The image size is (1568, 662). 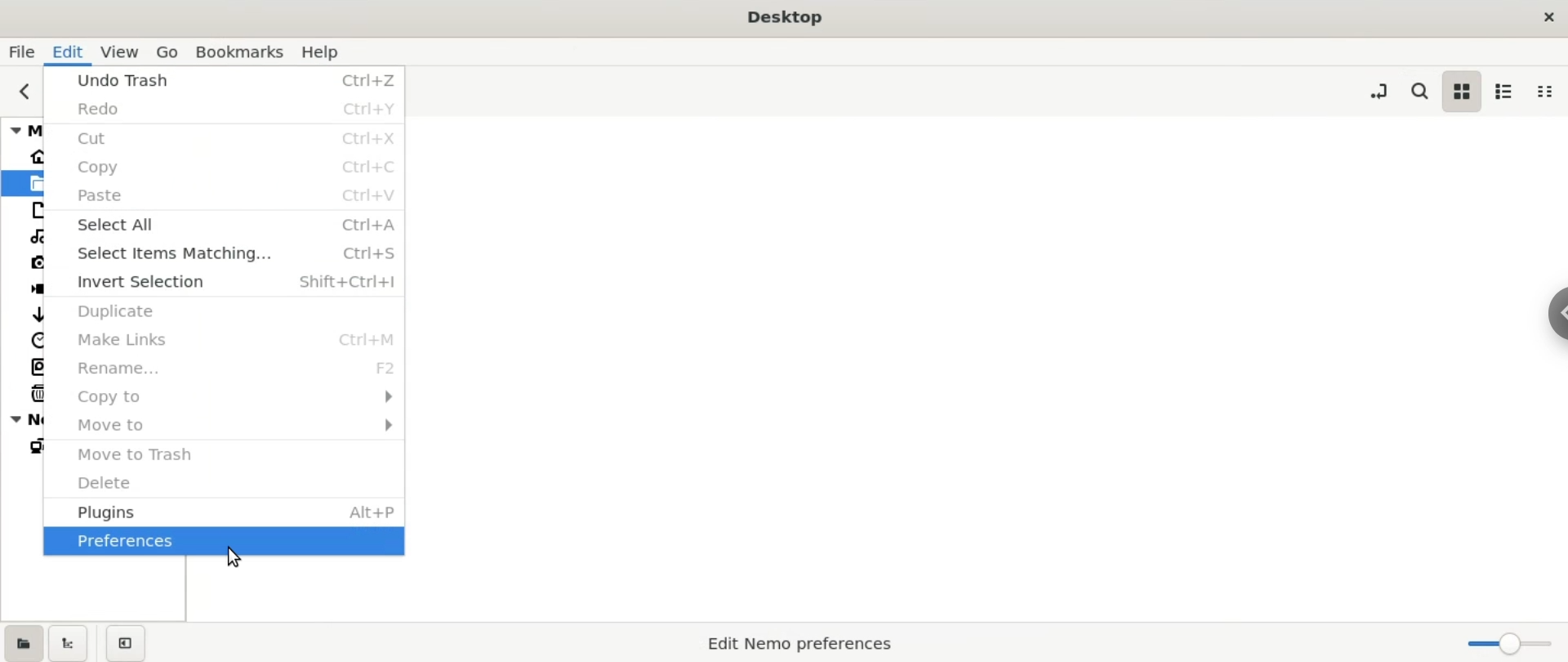 What do you see at coordinates (224, 456) in the screenshot?
I see `move trash` at bounding box center [224, 456].